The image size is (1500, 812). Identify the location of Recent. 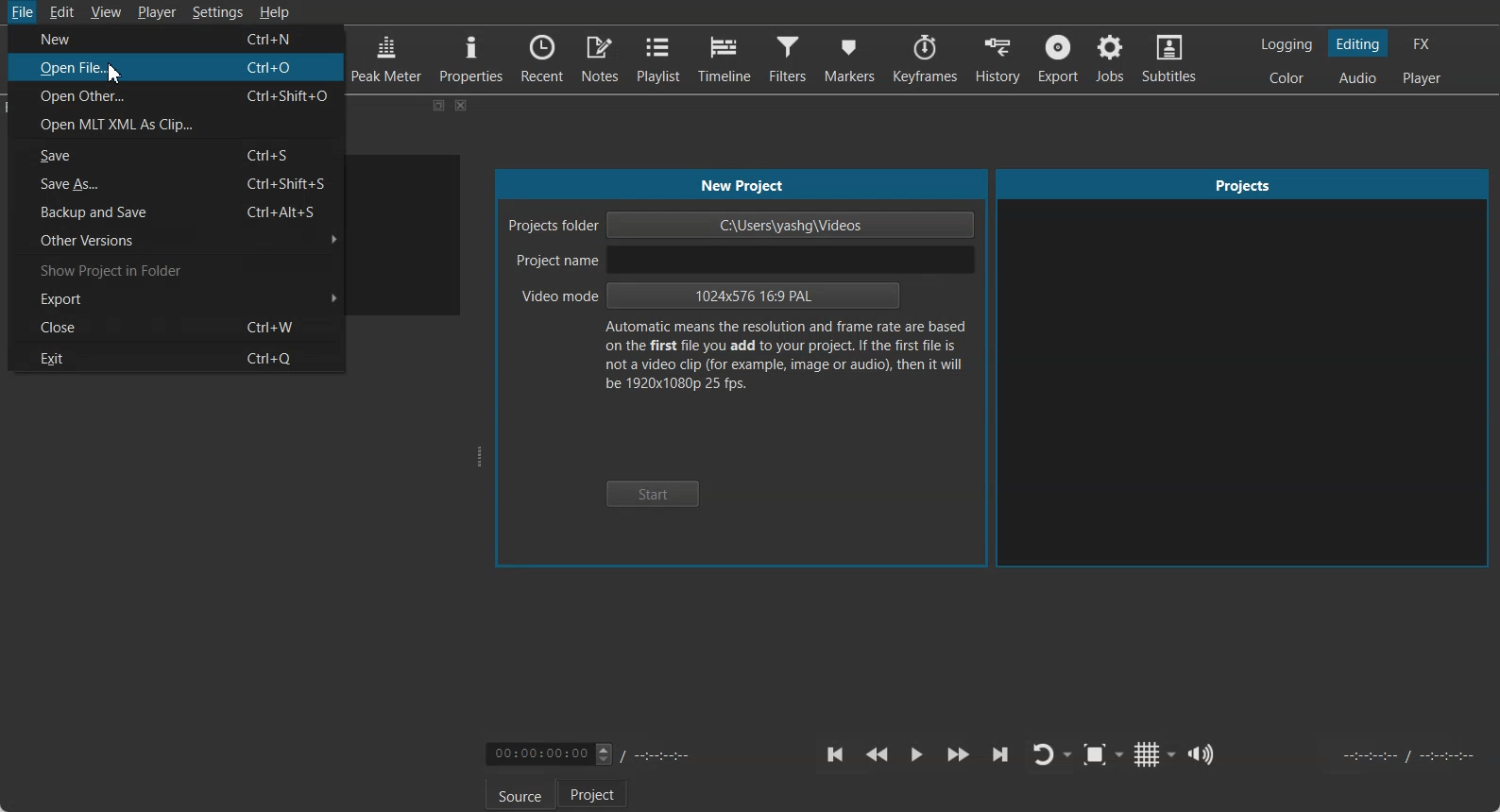
(542, 56).